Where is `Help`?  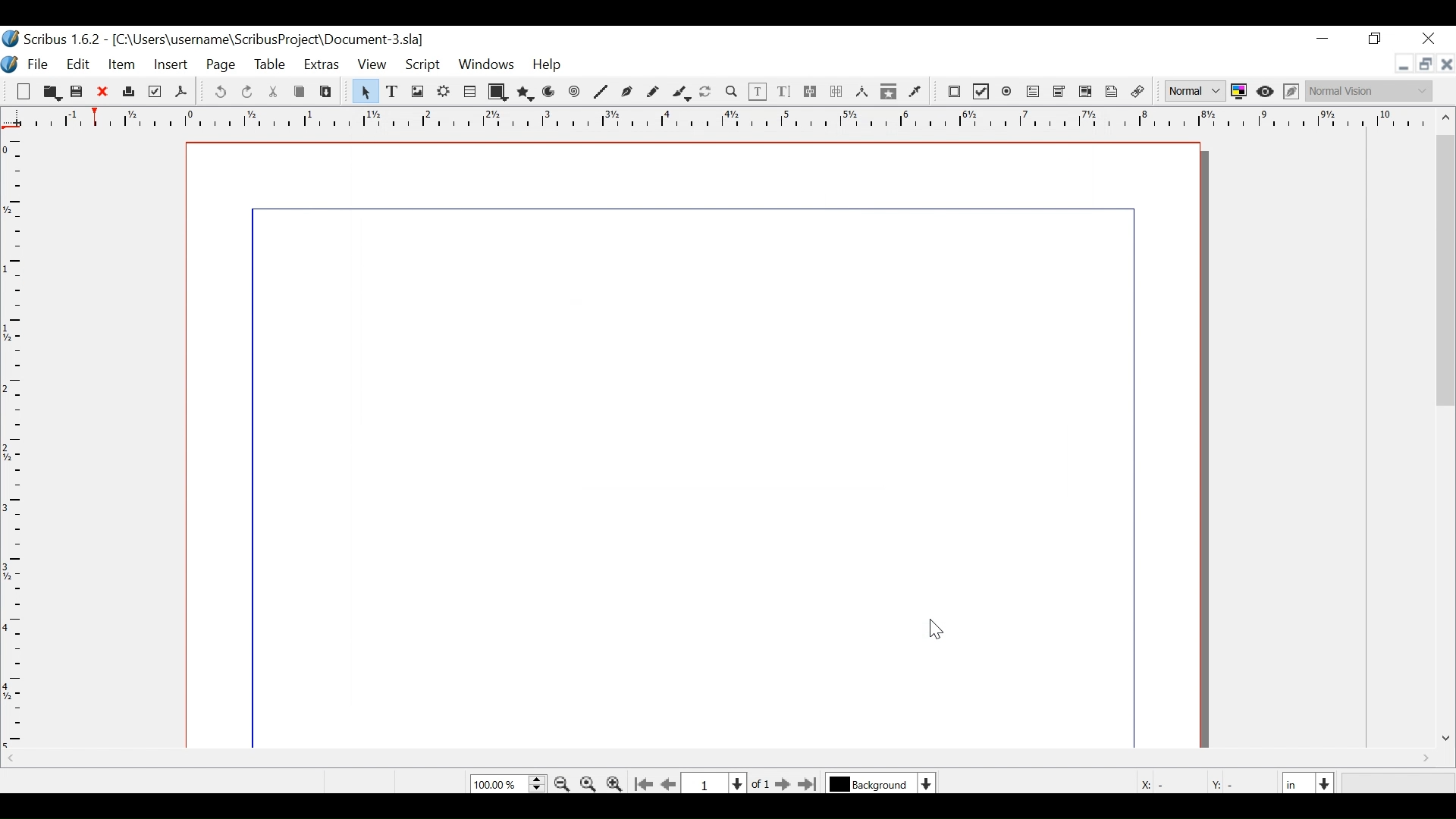 Help is located at coordinates (548, 67).